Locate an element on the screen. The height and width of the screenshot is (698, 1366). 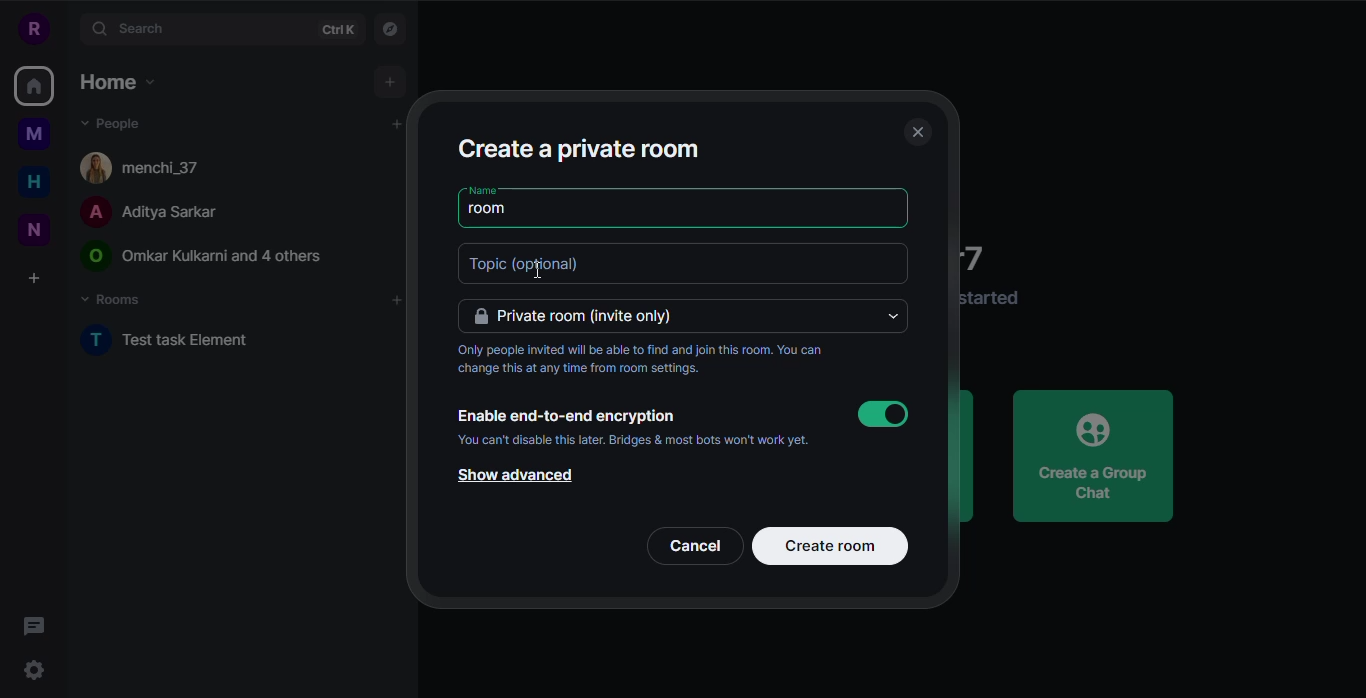
people is located at coordinates (204, 257).